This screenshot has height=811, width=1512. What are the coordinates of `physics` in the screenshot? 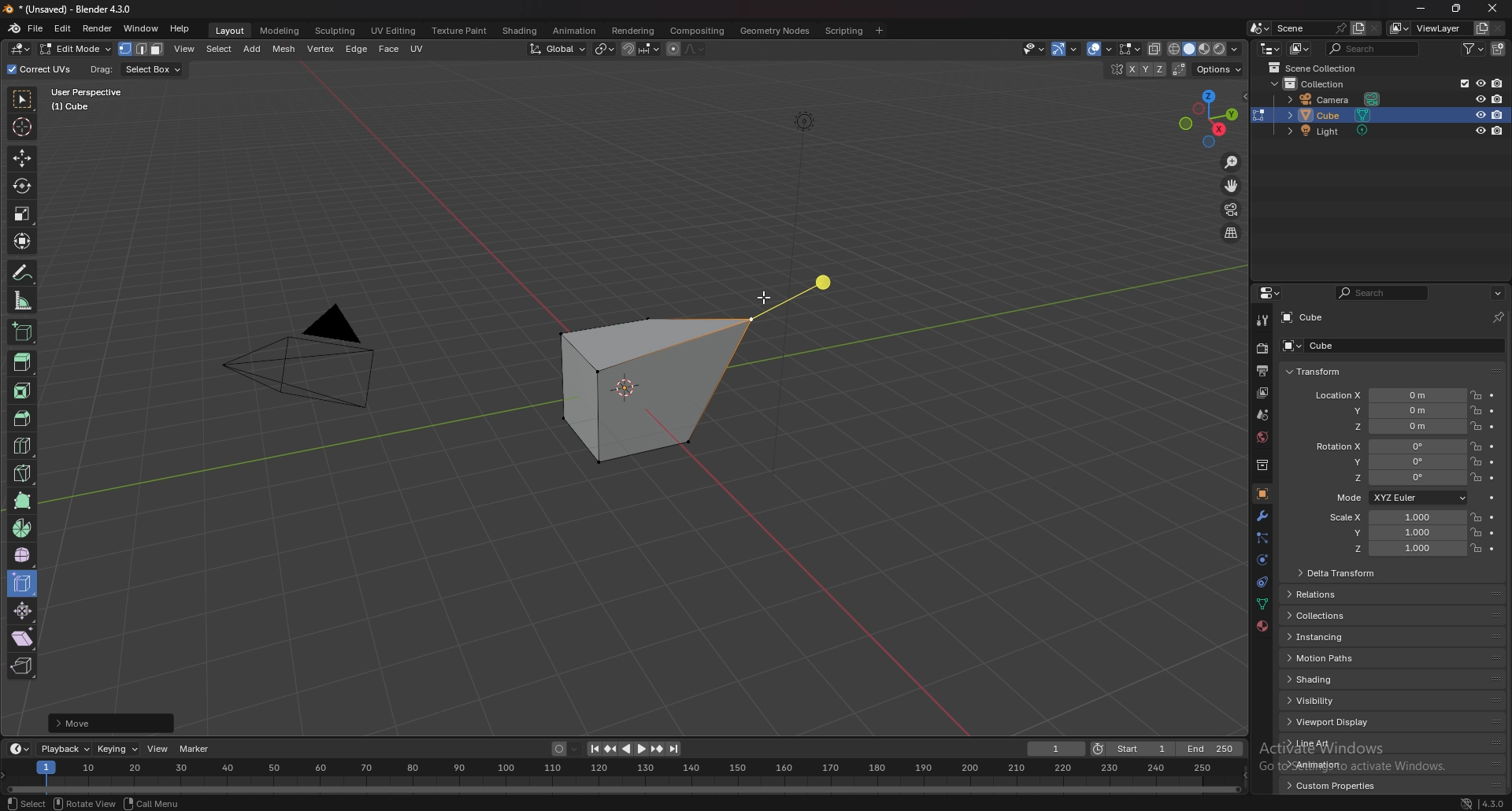 It's located at (1262, 561).